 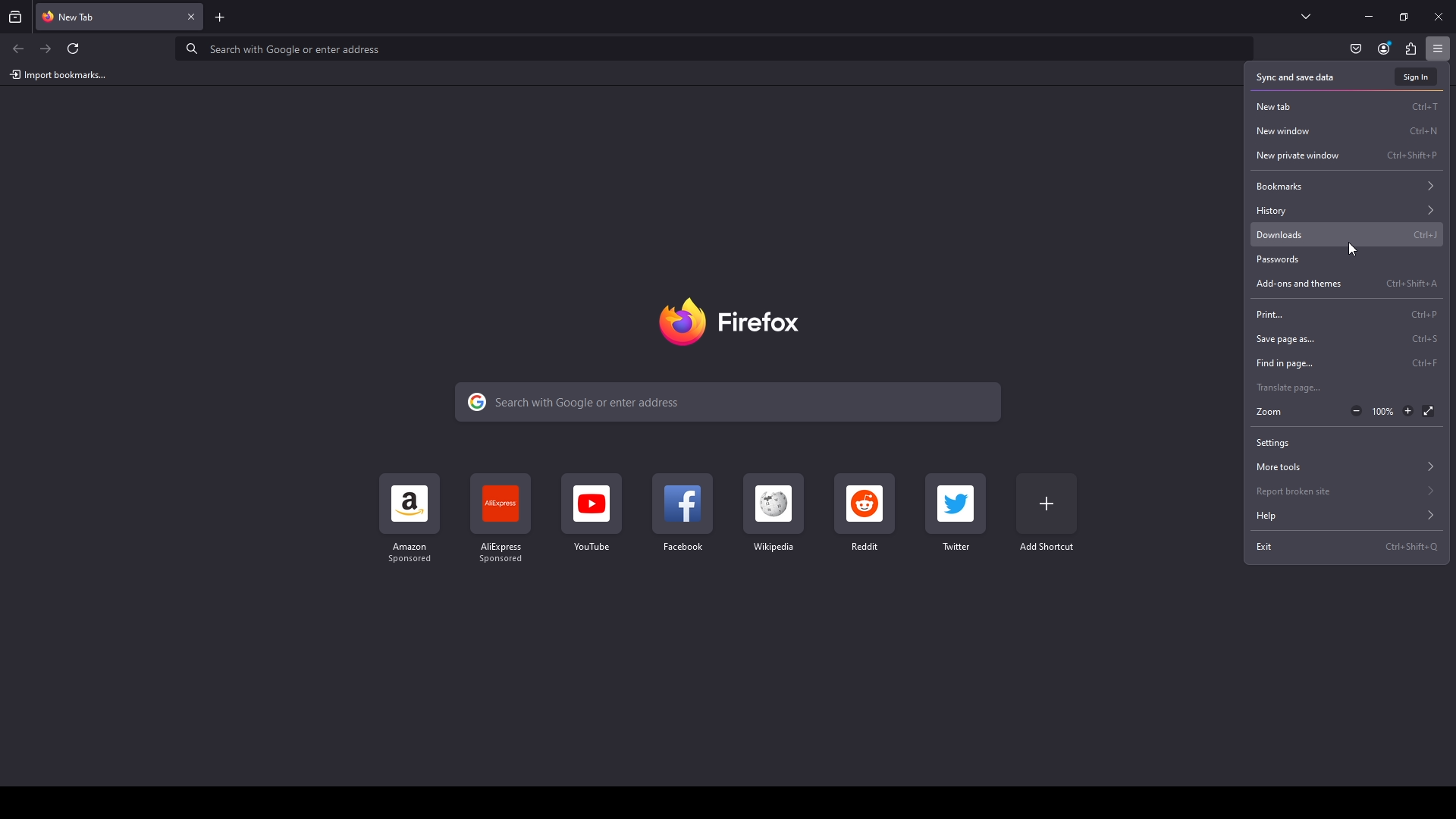 I want to click on Twitter, so click(x=956, y=513).